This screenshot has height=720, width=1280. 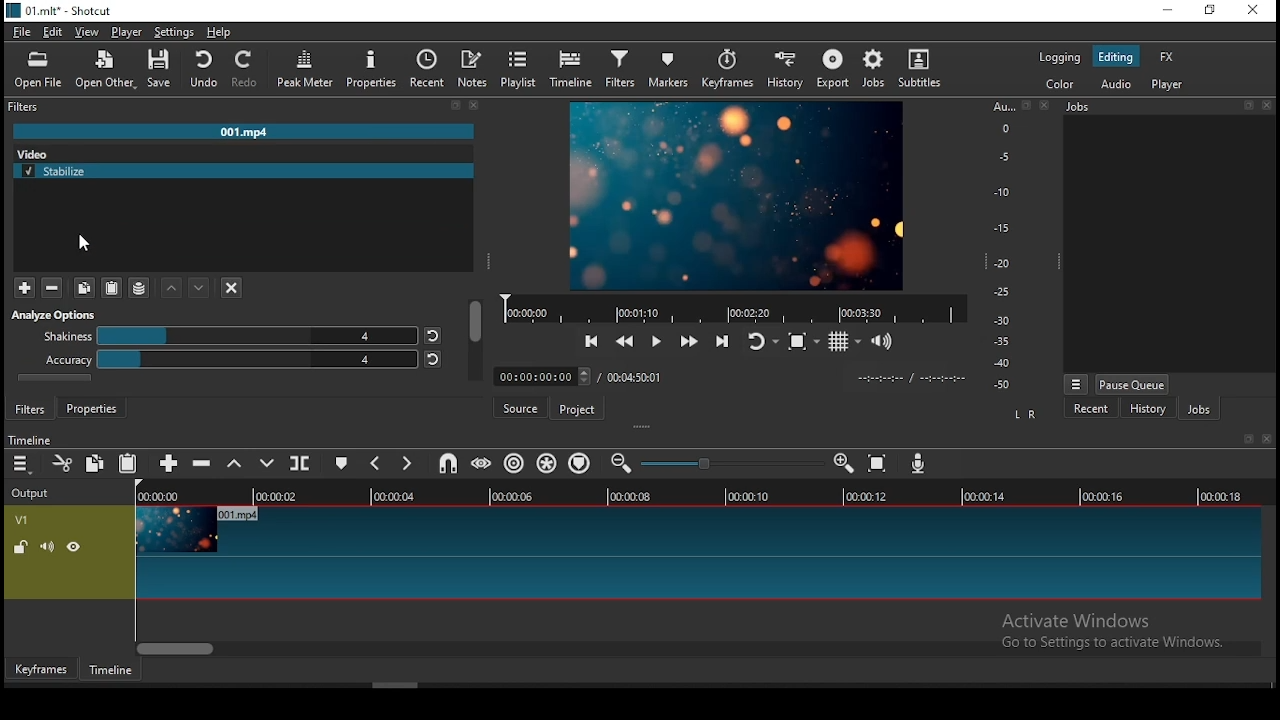 What do you see at coordinates (493, 263) in the screenshot?
I see `drag` at bounding box center [493, 263].